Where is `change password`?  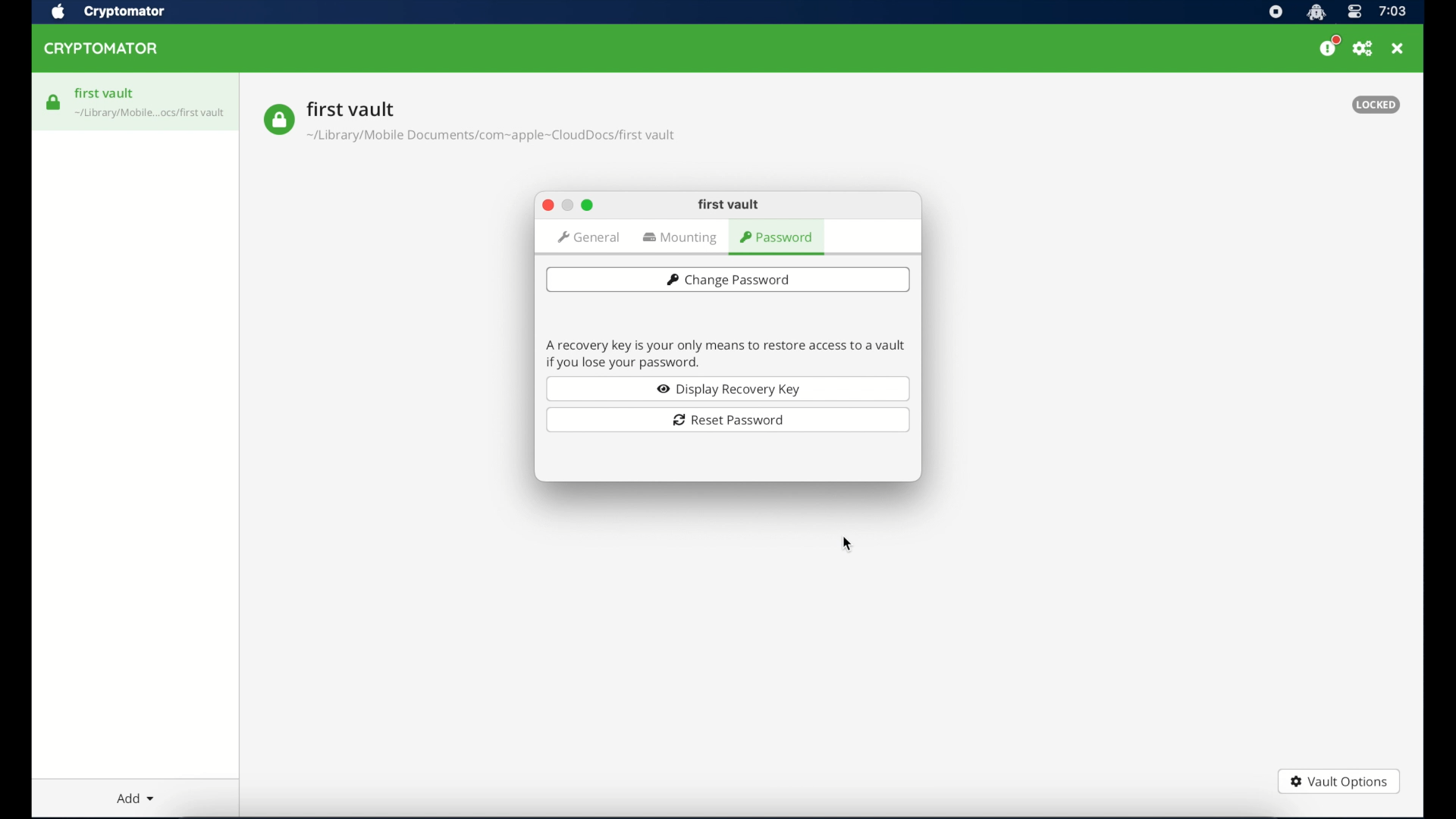 change password is located at coordinates (727, 279).